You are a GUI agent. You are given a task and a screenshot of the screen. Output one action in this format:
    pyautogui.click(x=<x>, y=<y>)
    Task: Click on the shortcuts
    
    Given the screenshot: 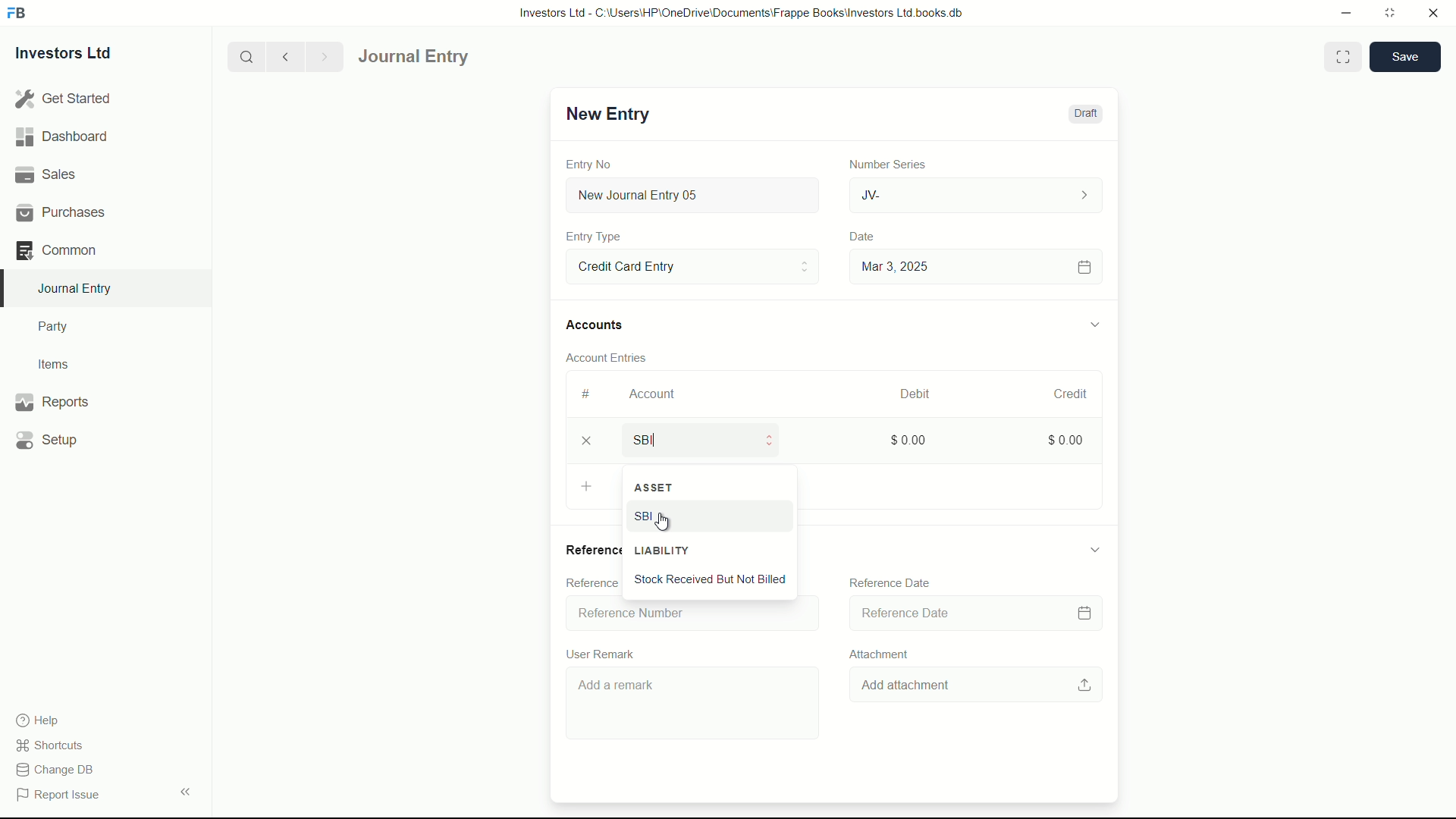 What is the action you would take?
    pyautogui.click(x=53, y=745)
    